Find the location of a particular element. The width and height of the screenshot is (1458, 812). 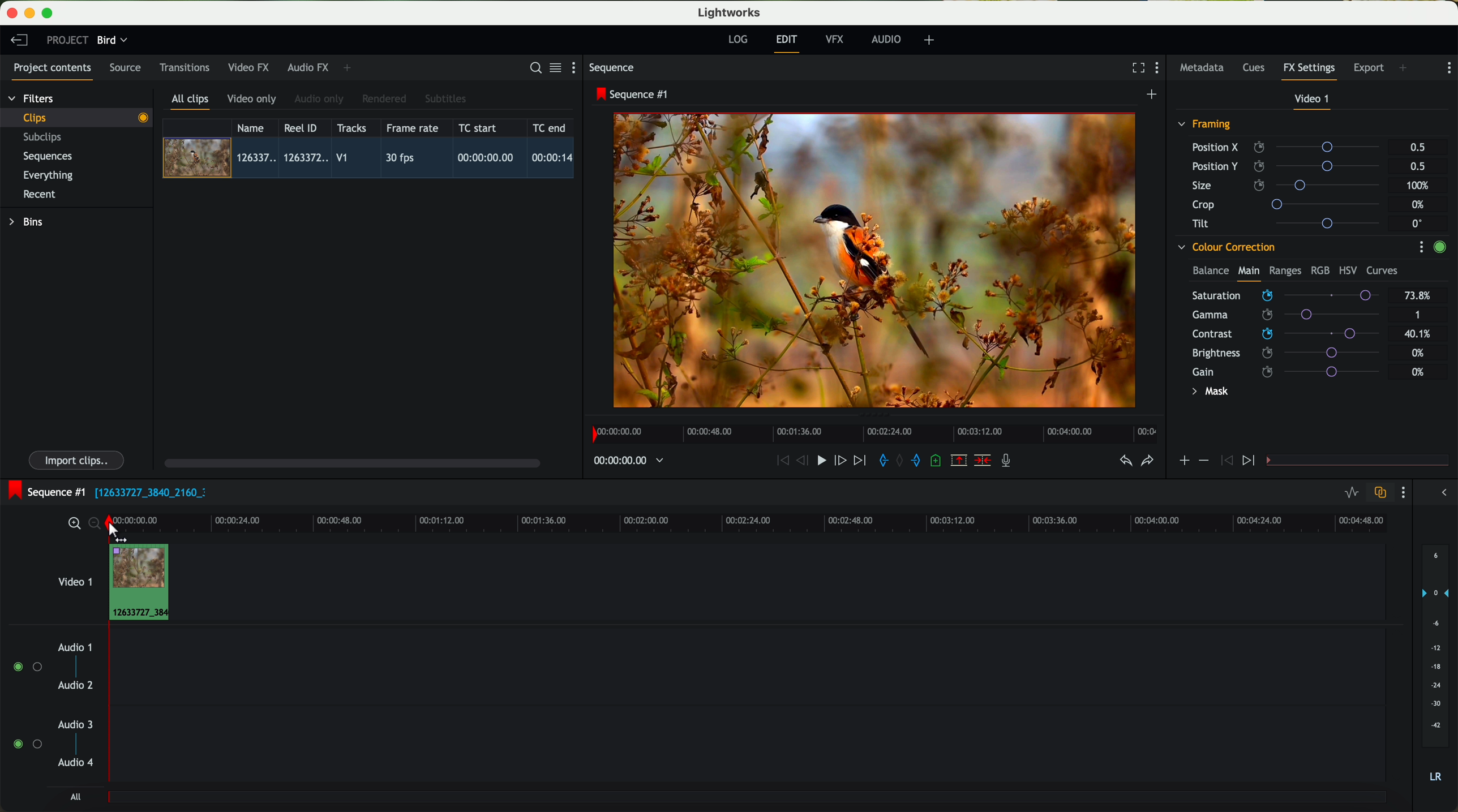

icon is located at coordinates (1203, 461).